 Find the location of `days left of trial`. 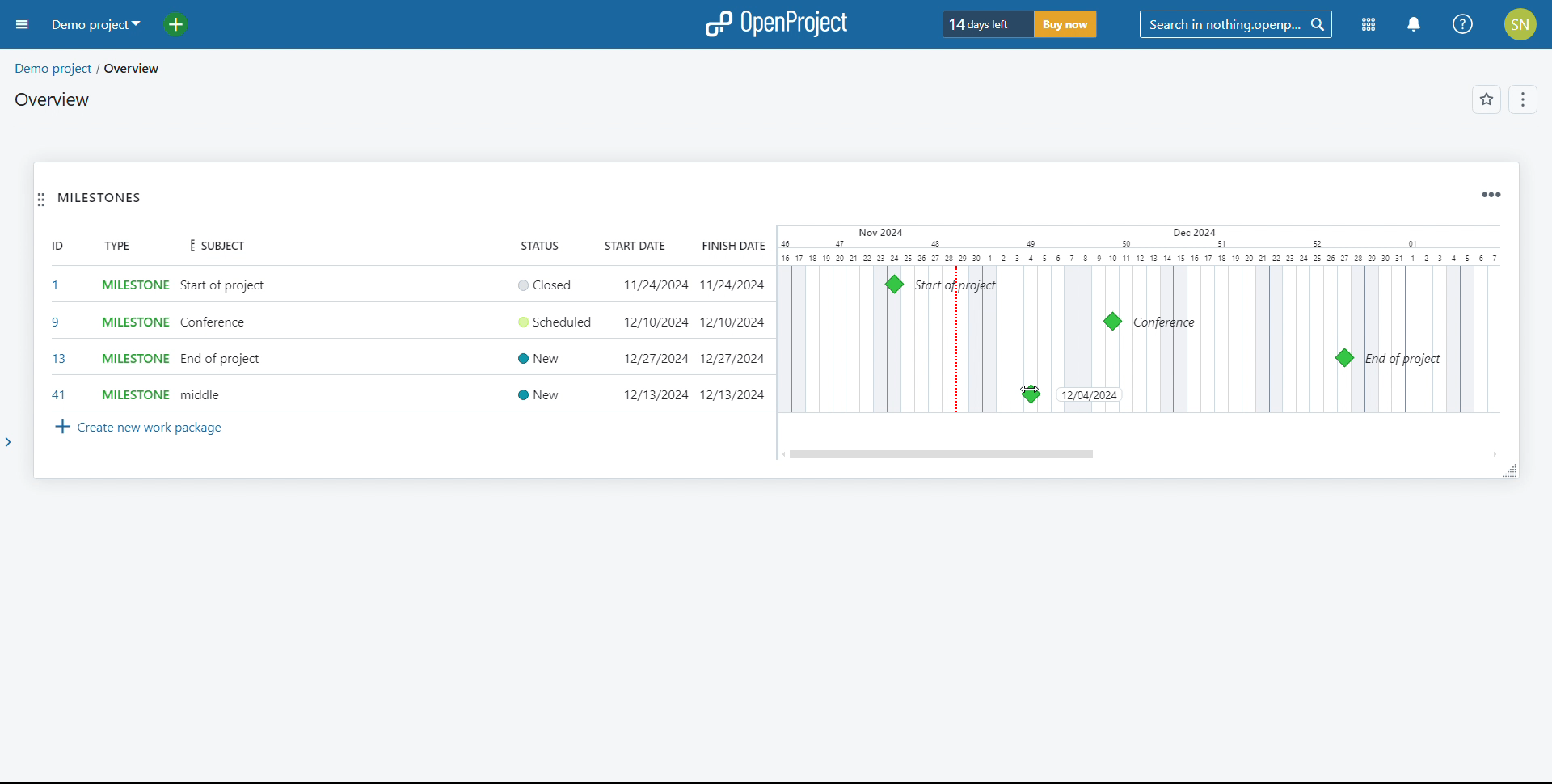

days left of trial is located at coordinates (986, 23).